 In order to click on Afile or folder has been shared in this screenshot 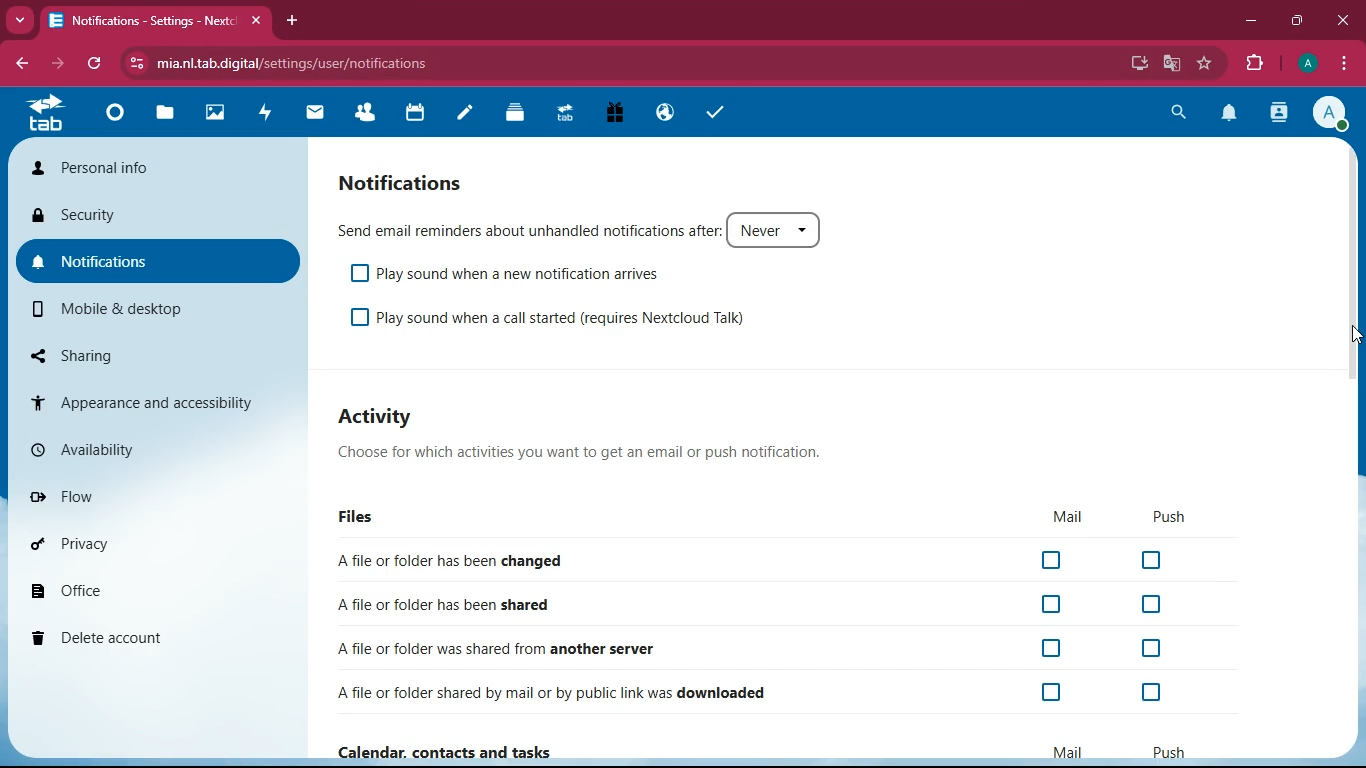, I will do `click(451, 604)`.